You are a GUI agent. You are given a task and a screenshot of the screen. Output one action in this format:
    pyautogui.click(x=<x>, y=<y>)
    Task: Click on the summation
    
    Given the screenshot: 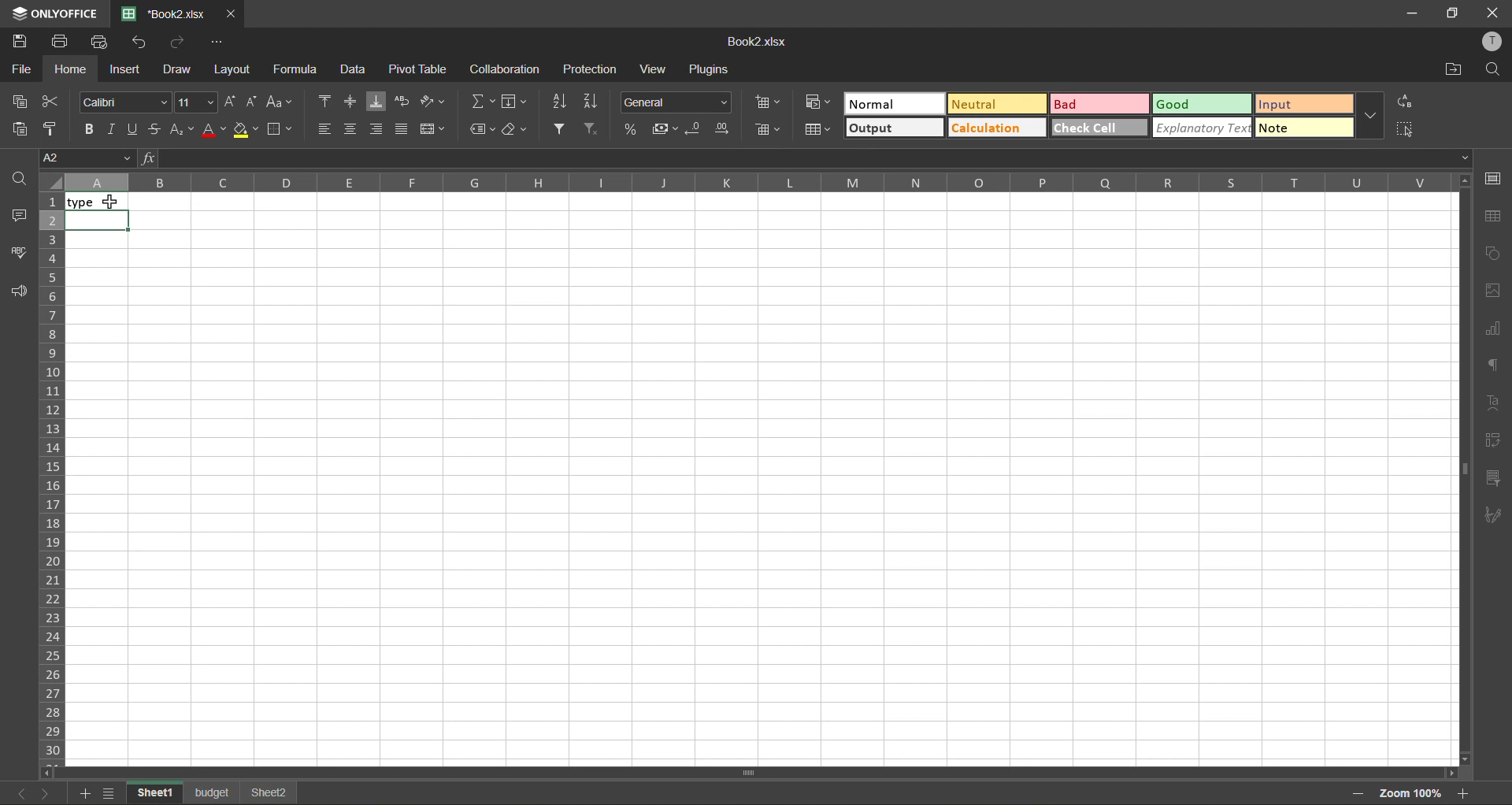 What is the action you would take?
    pyautogui.click(x=482, y=105)
    